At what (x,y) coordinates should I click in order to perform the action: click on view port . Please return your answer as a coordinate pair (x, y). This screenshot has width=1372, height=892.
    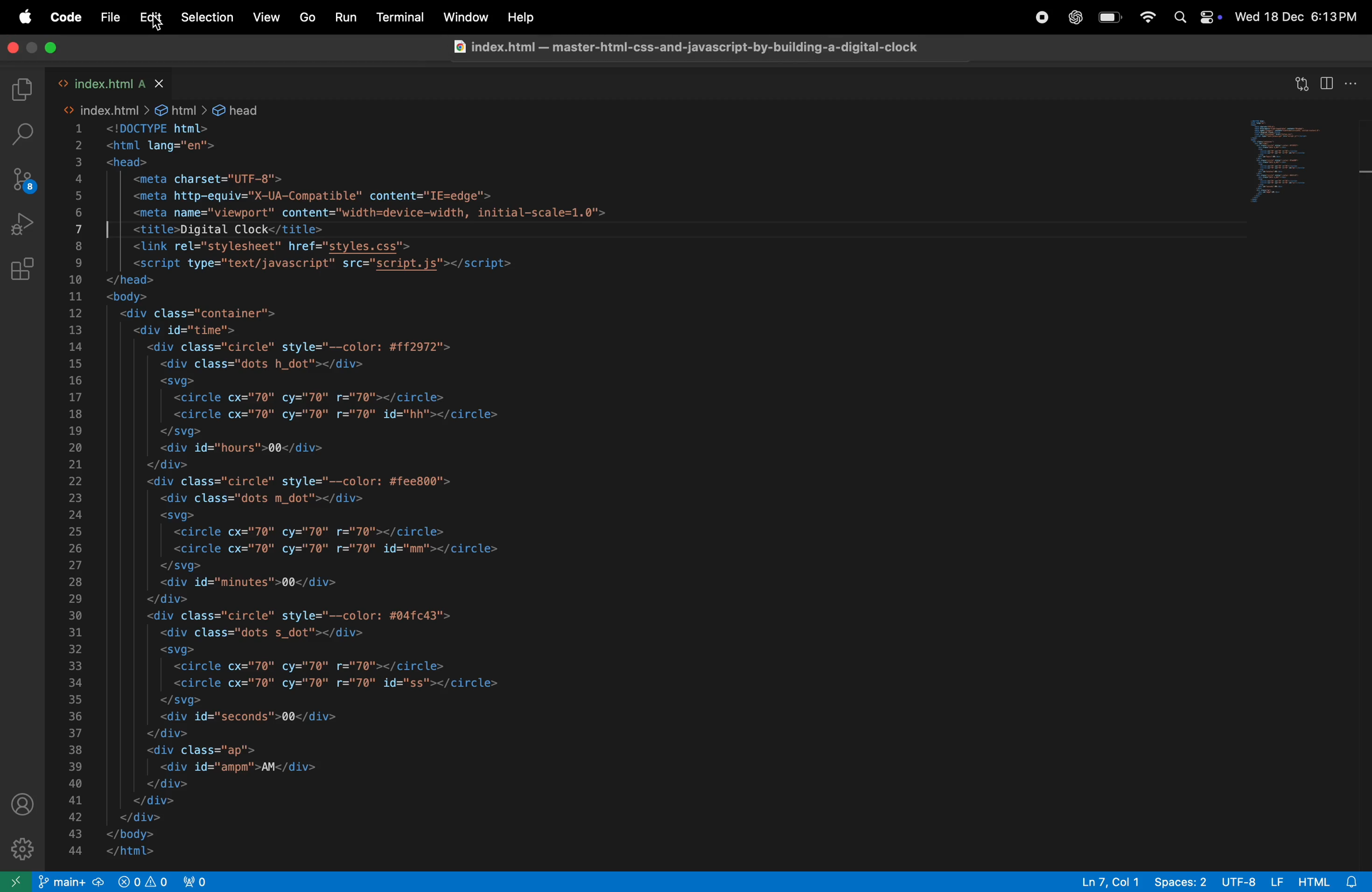
    Looking at the image, I should click on (196, 880).